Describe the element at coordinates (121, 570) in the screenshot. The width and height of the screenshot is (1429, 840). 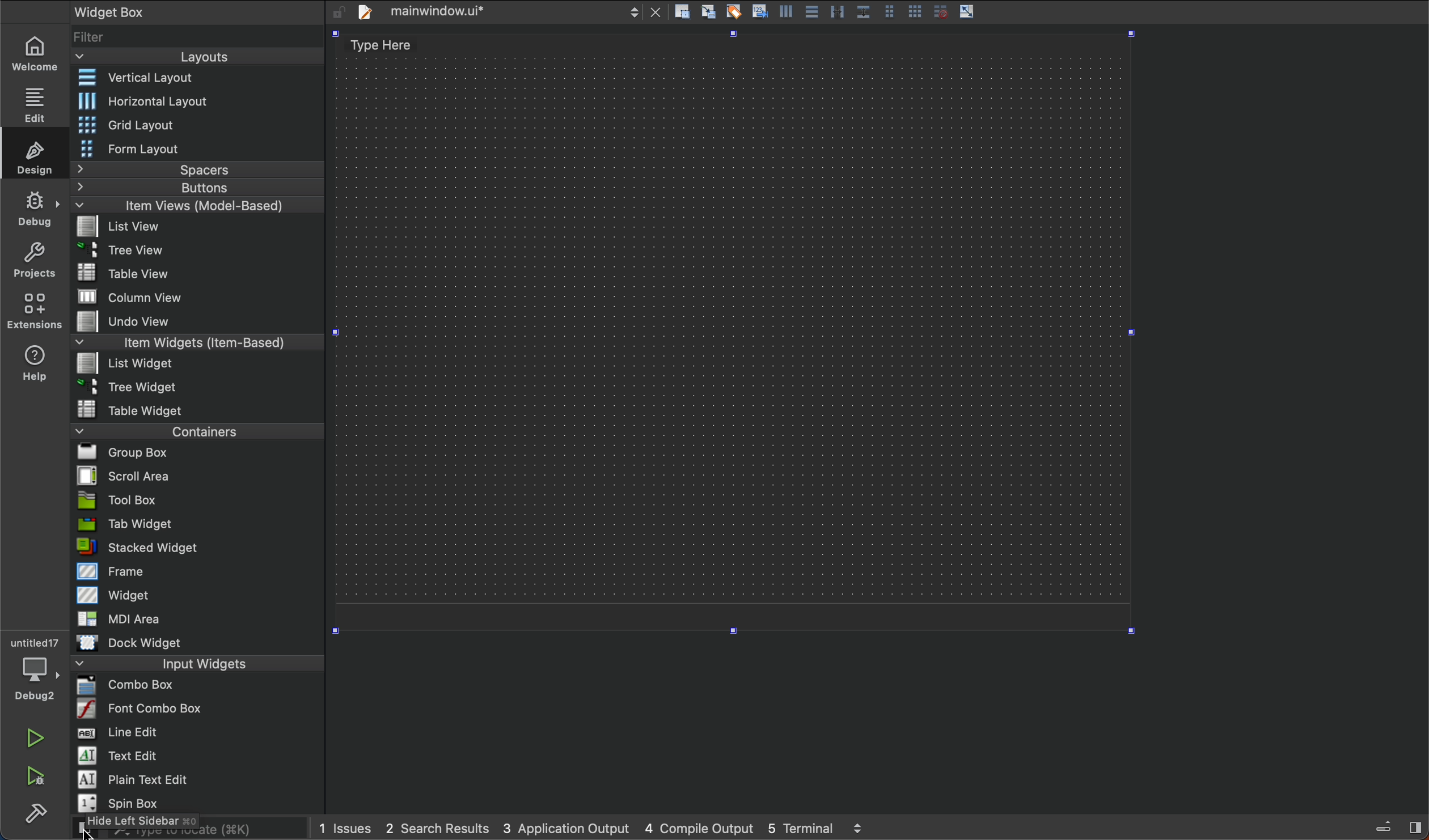
I see `Frame` at that location.